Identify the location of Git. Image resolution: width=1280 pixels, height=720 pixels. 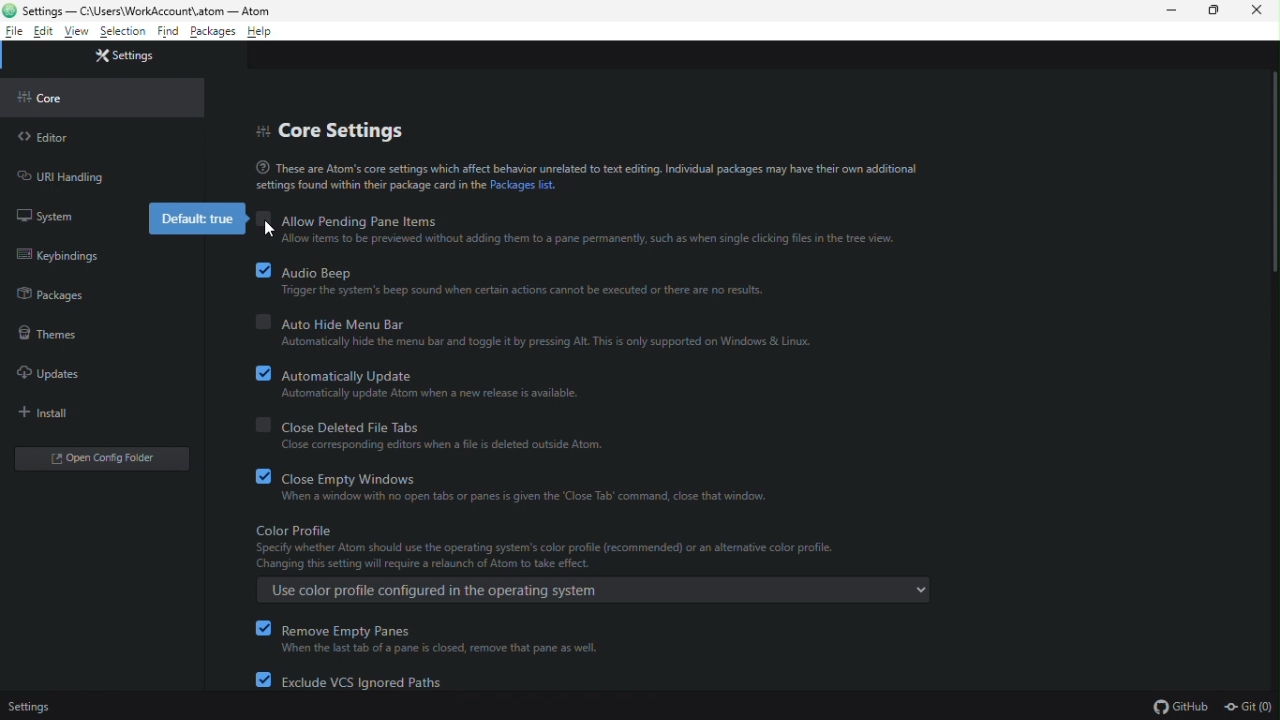
(1250, 707).